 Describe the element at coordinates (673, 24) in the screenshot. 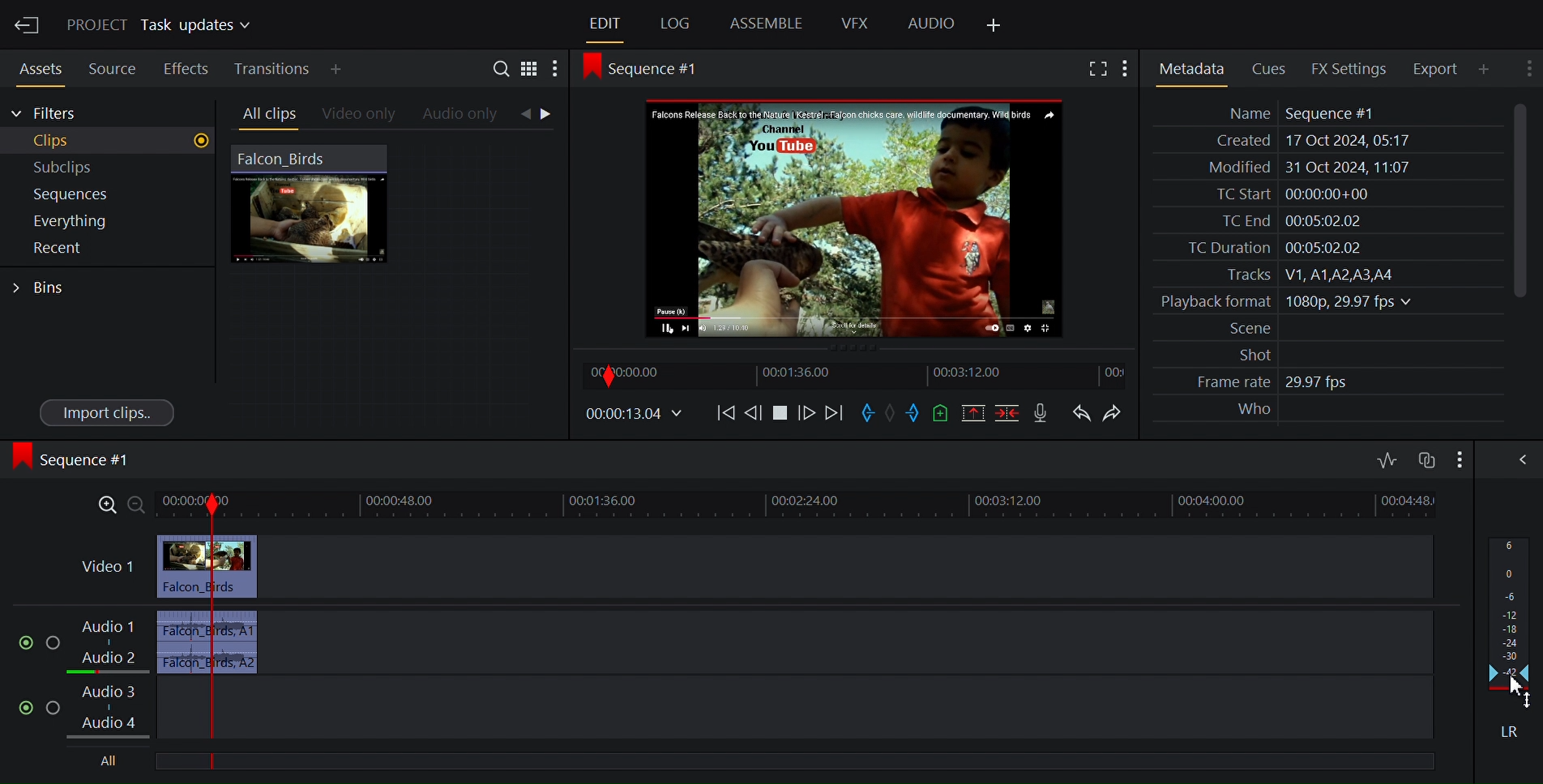

I see `Log` at that location.